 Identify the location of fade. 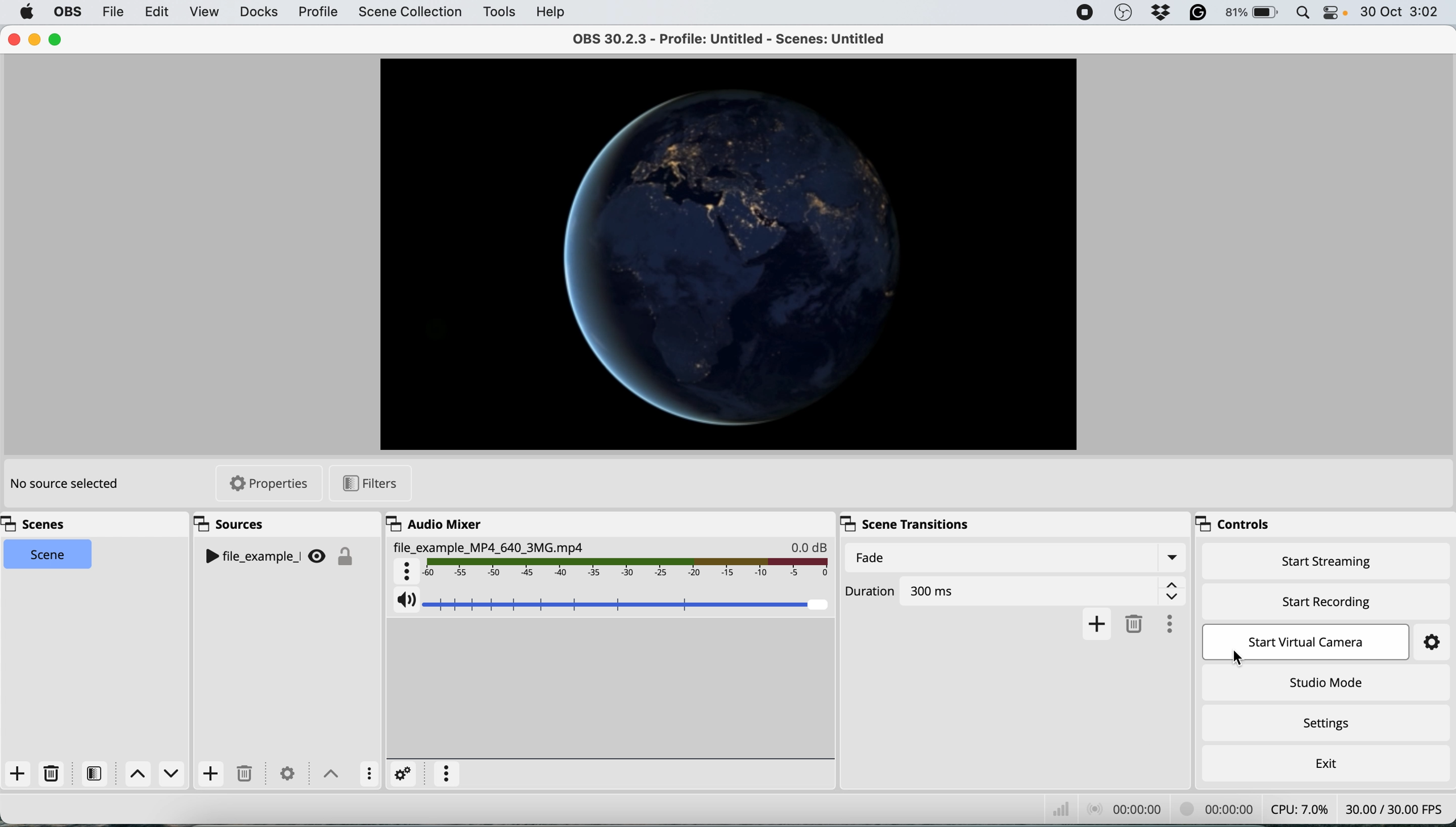
(1017, 557).